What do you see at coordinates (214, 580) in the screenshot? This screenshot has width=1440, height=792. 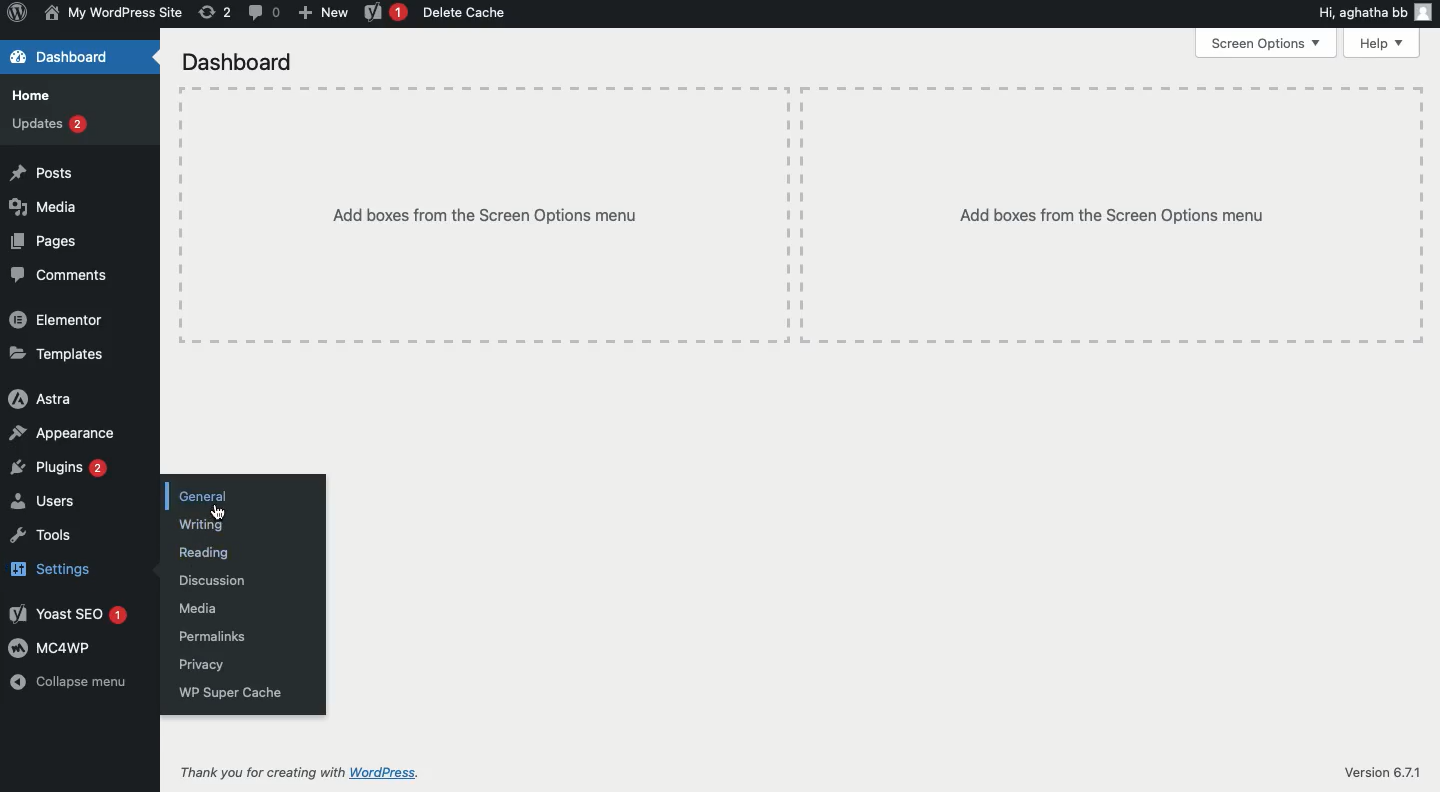 I see `Discussion` at bounding box center [214, 580].